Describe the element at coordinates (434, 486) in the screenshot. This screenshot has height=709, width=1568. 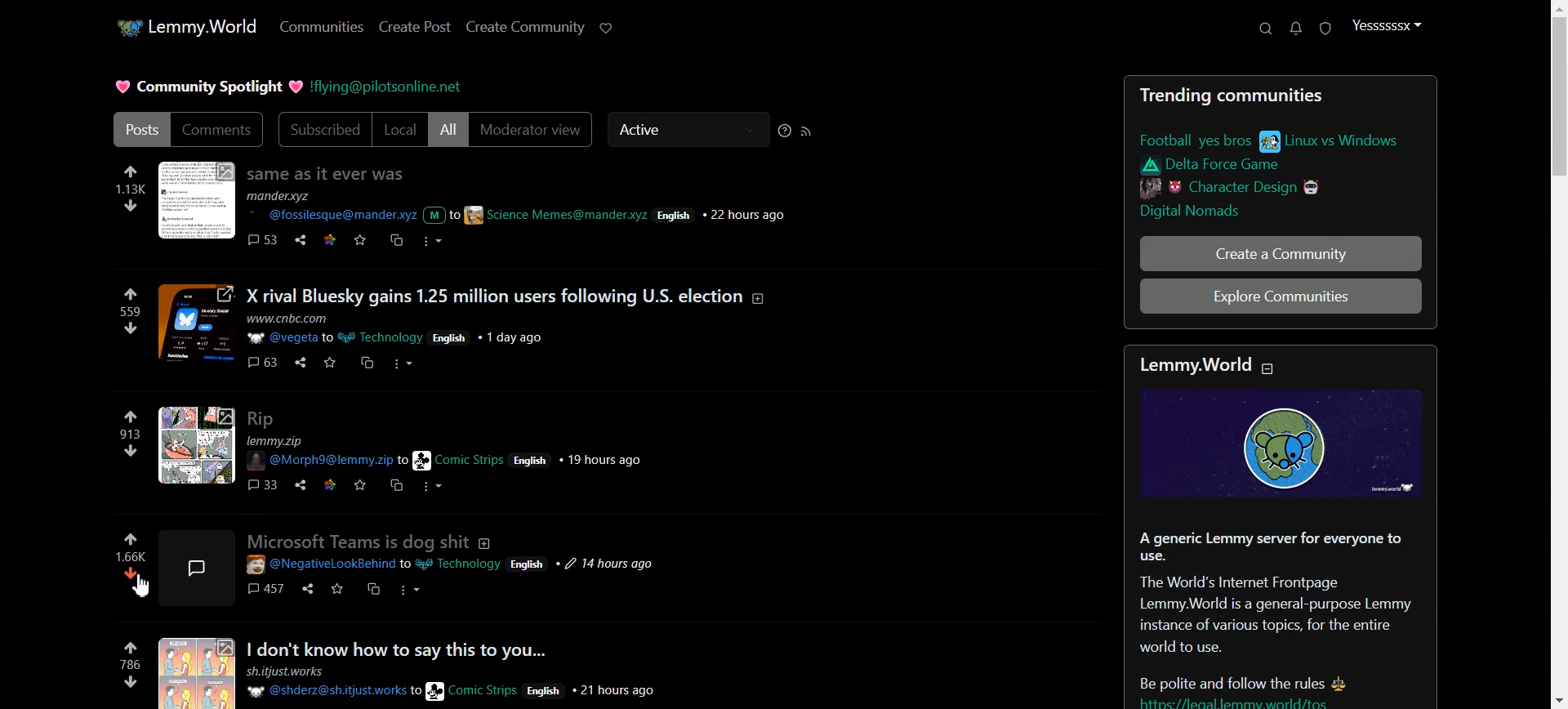
I see `more` at that location.